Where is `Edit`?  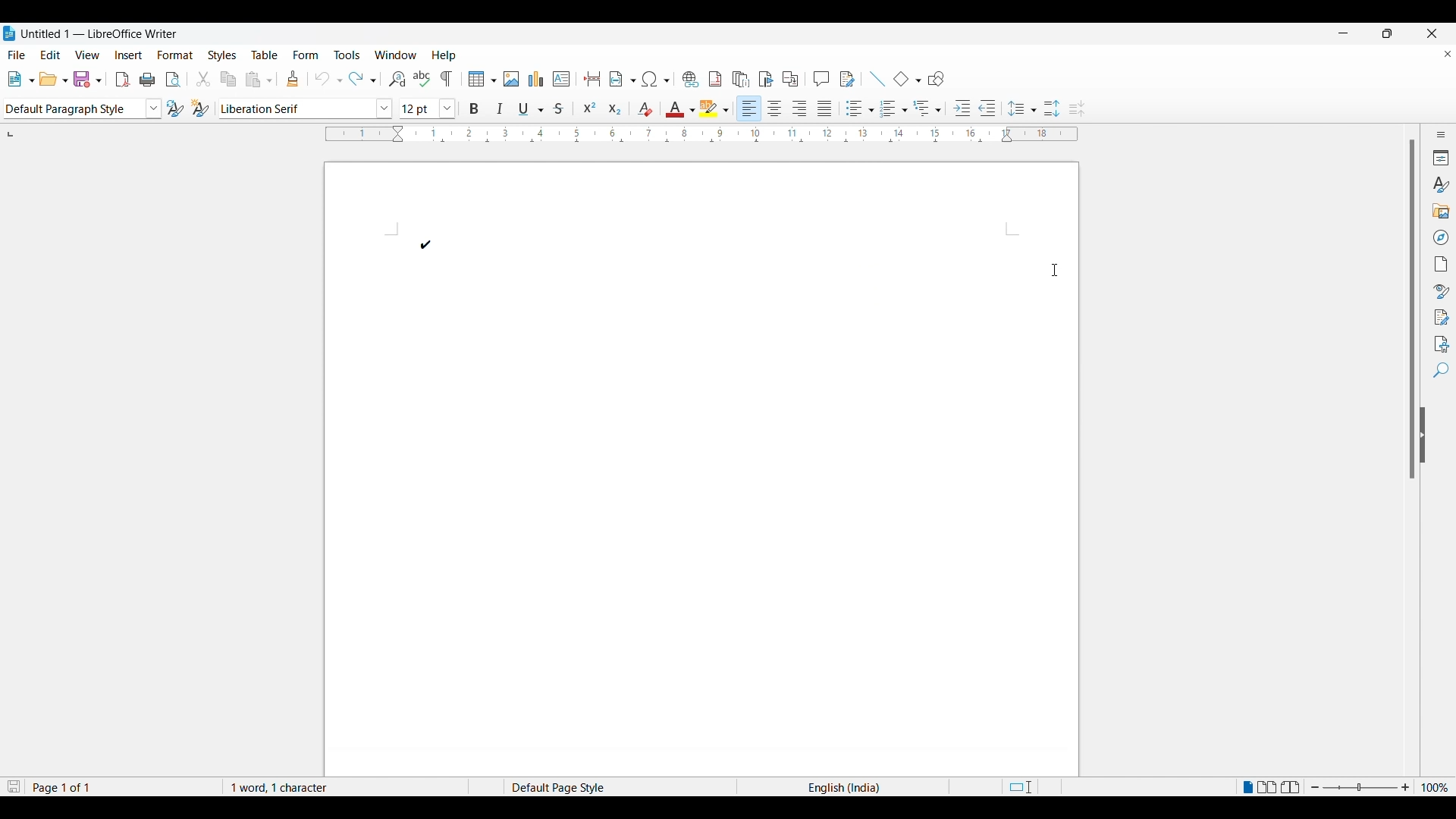
Edit is located at coordinates (49, 52).